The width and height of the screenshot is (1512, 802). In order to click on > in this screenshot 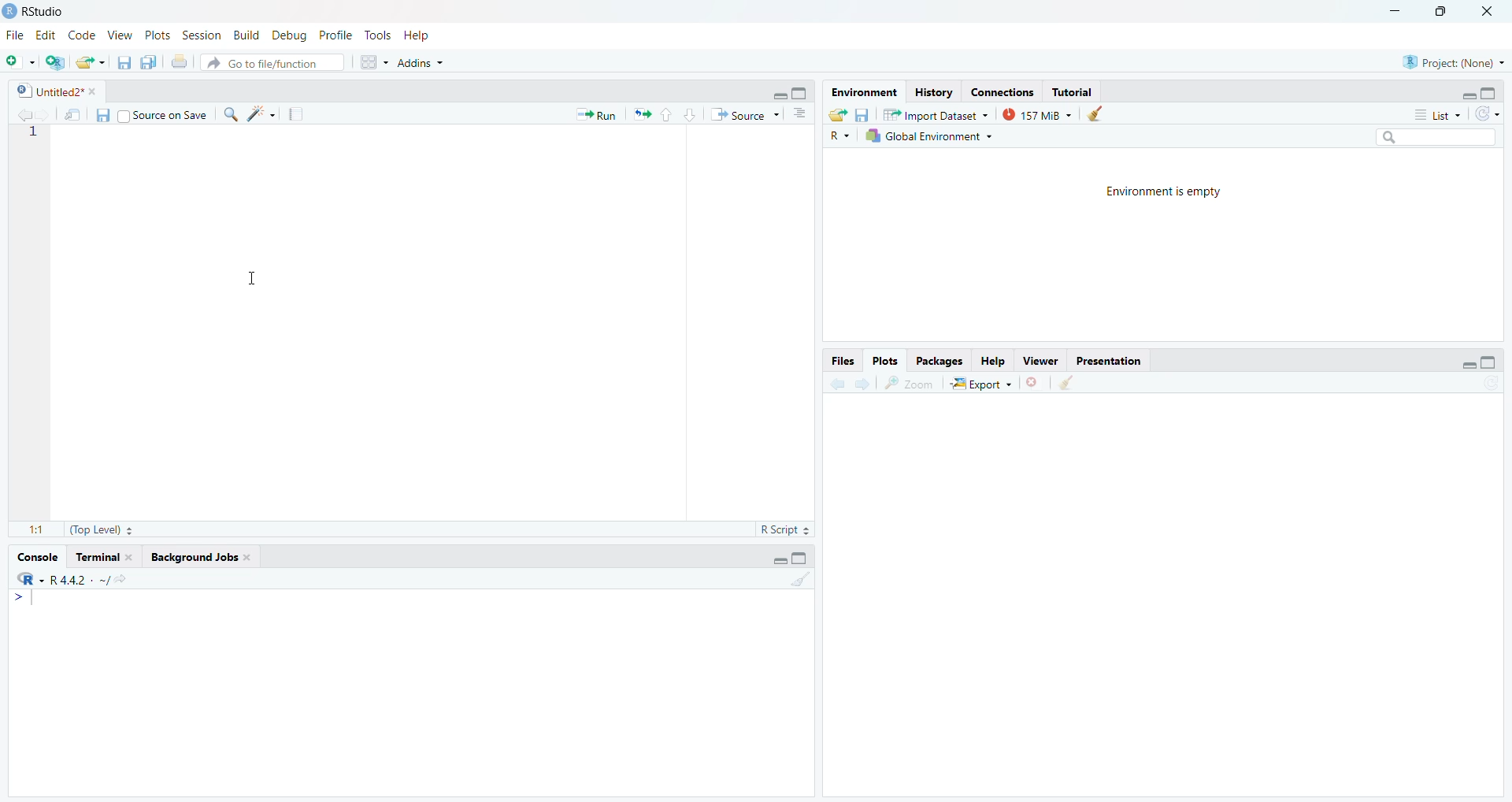, I will do `click(18, 598)`.